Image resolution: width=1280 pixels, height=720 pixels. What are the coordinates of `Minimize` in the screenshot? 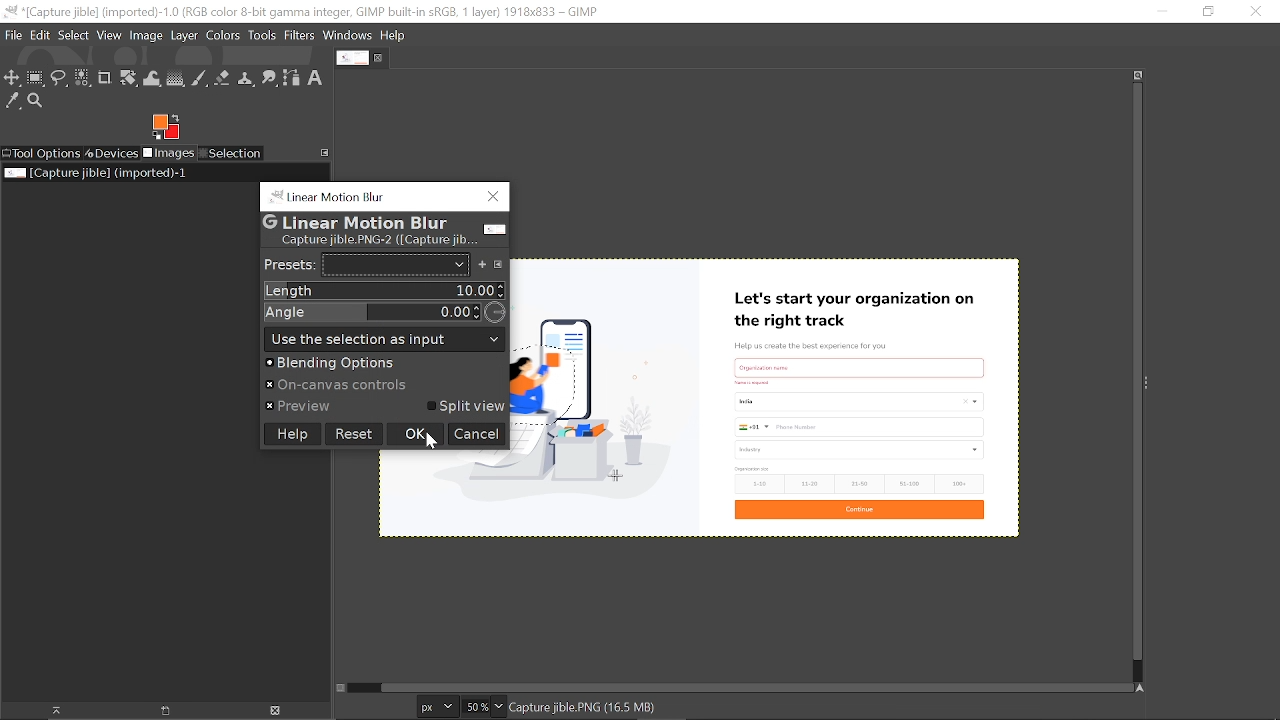 It's located at (1159, 11).